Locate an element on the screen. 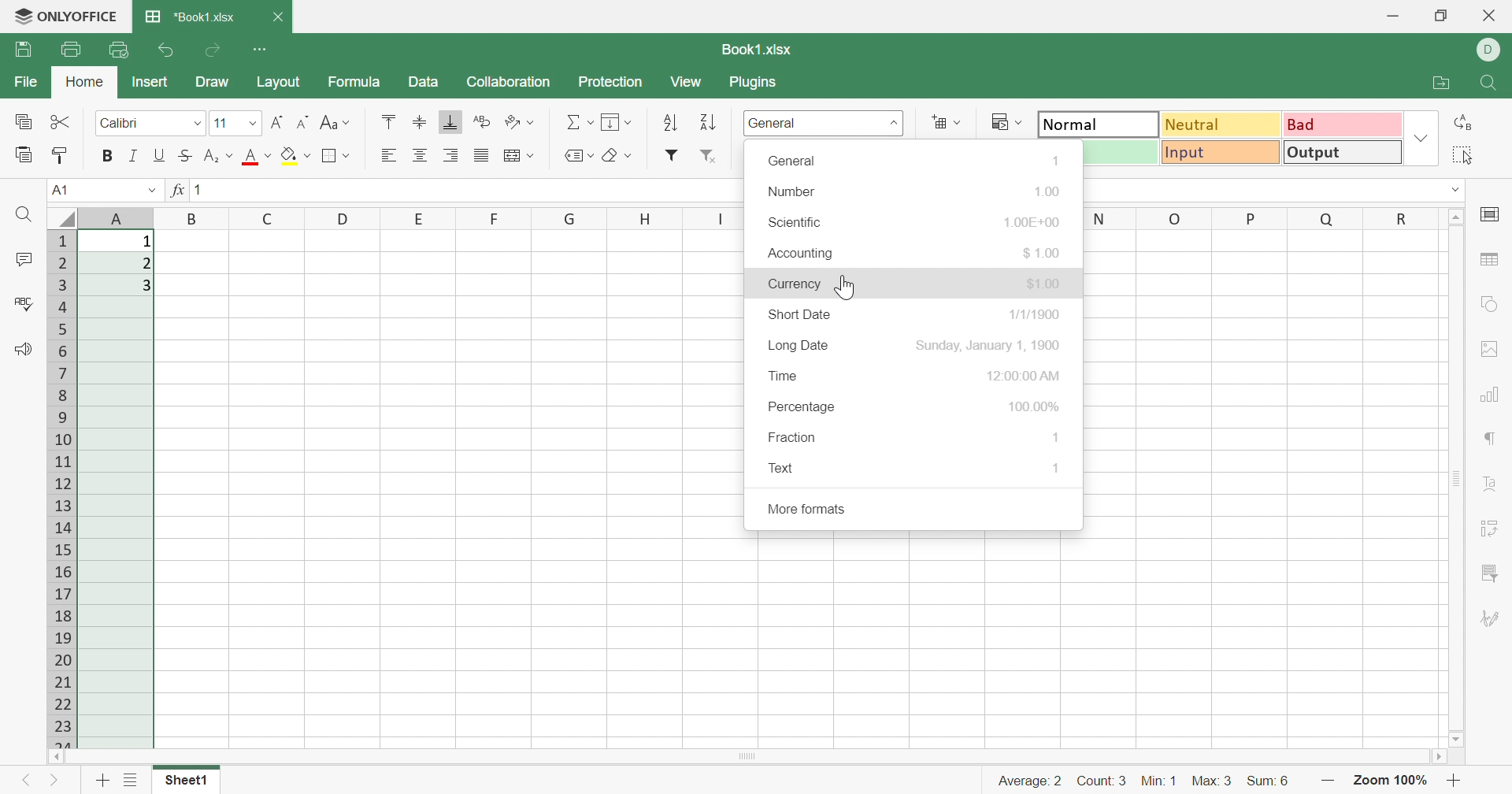 The image size is (1512, 794). Scientific is located at coordinates (793, 222).